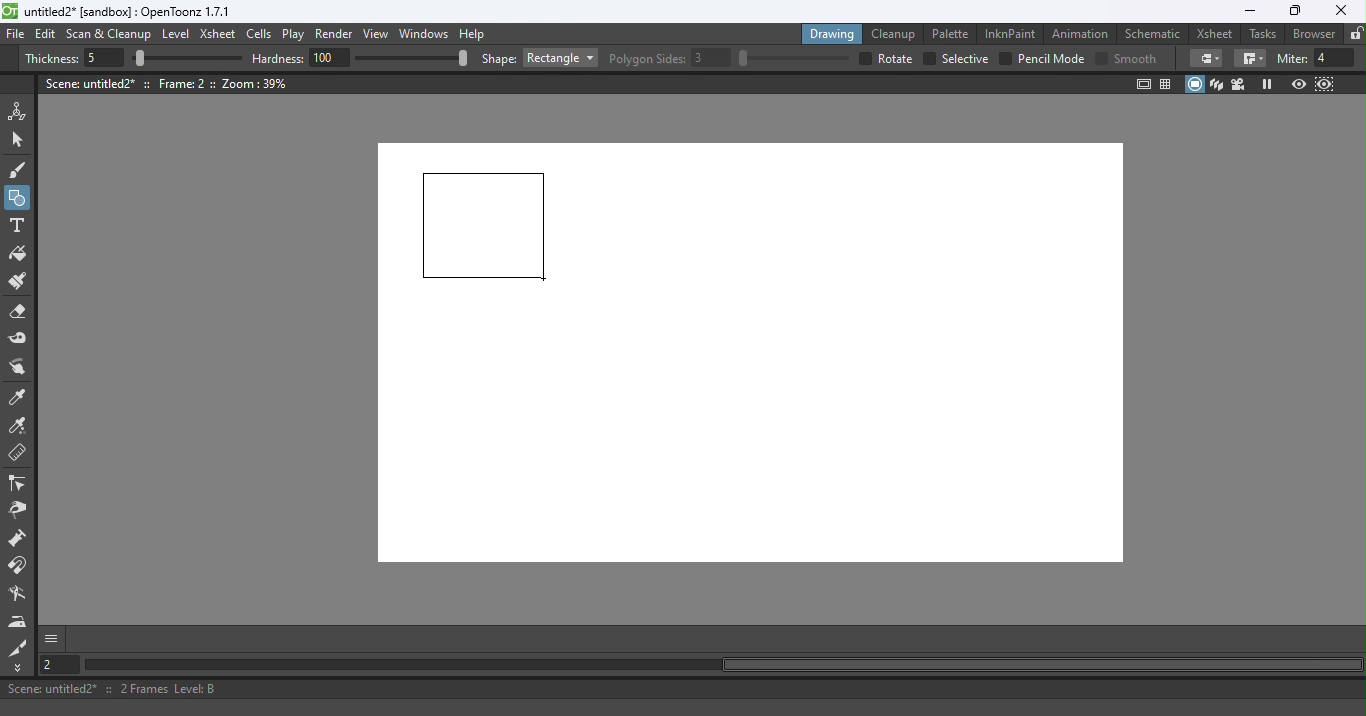  Describe the element at coordinates (1298, 85) in the screenshot. I see `Preview` at that location.